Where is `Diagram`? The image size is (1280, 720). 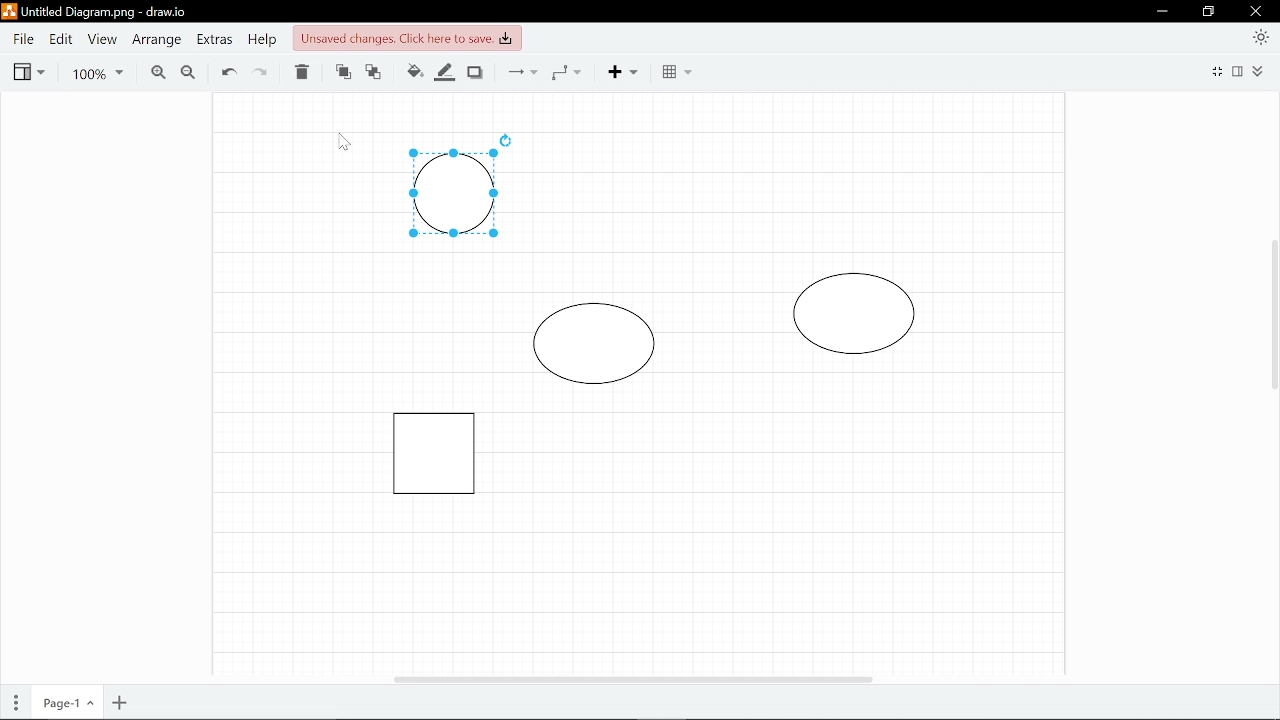 Diagram is located at coordinates (453, 194).